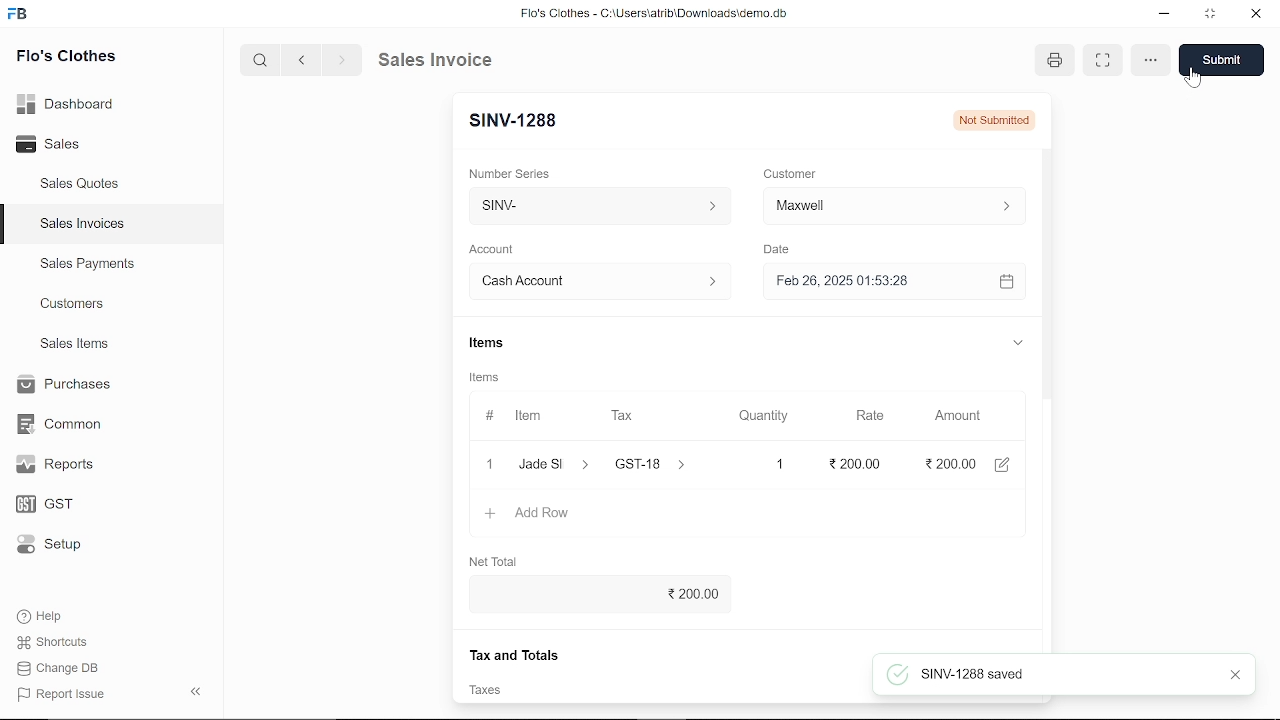 Image resolution: width=1280 pixels, height=720 pixels. I want to click on hide, so click(197, 689).